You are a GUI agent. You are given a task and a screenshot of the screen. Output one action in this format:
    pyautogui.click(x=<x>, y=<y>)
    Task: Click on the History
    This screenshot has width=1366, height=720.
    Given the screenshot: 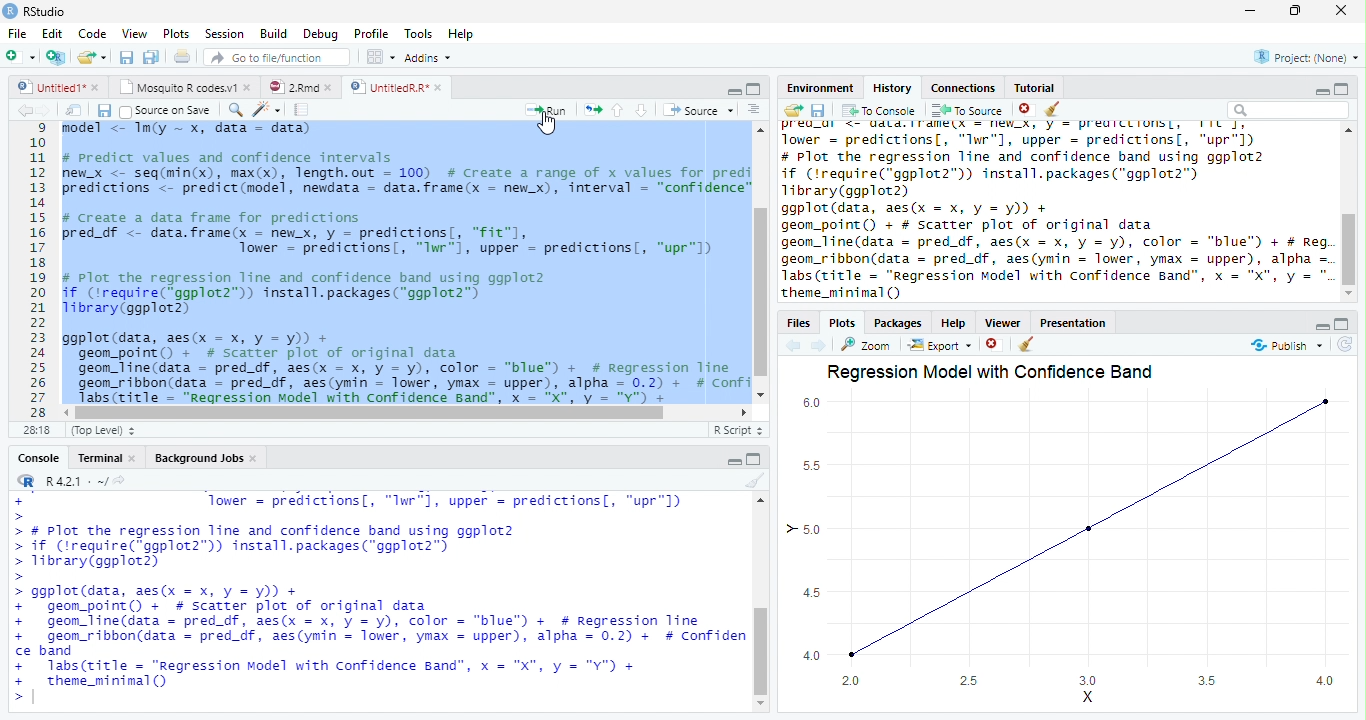 What is the action you would take?
    pyautogui.click(x=892, y=89)
    